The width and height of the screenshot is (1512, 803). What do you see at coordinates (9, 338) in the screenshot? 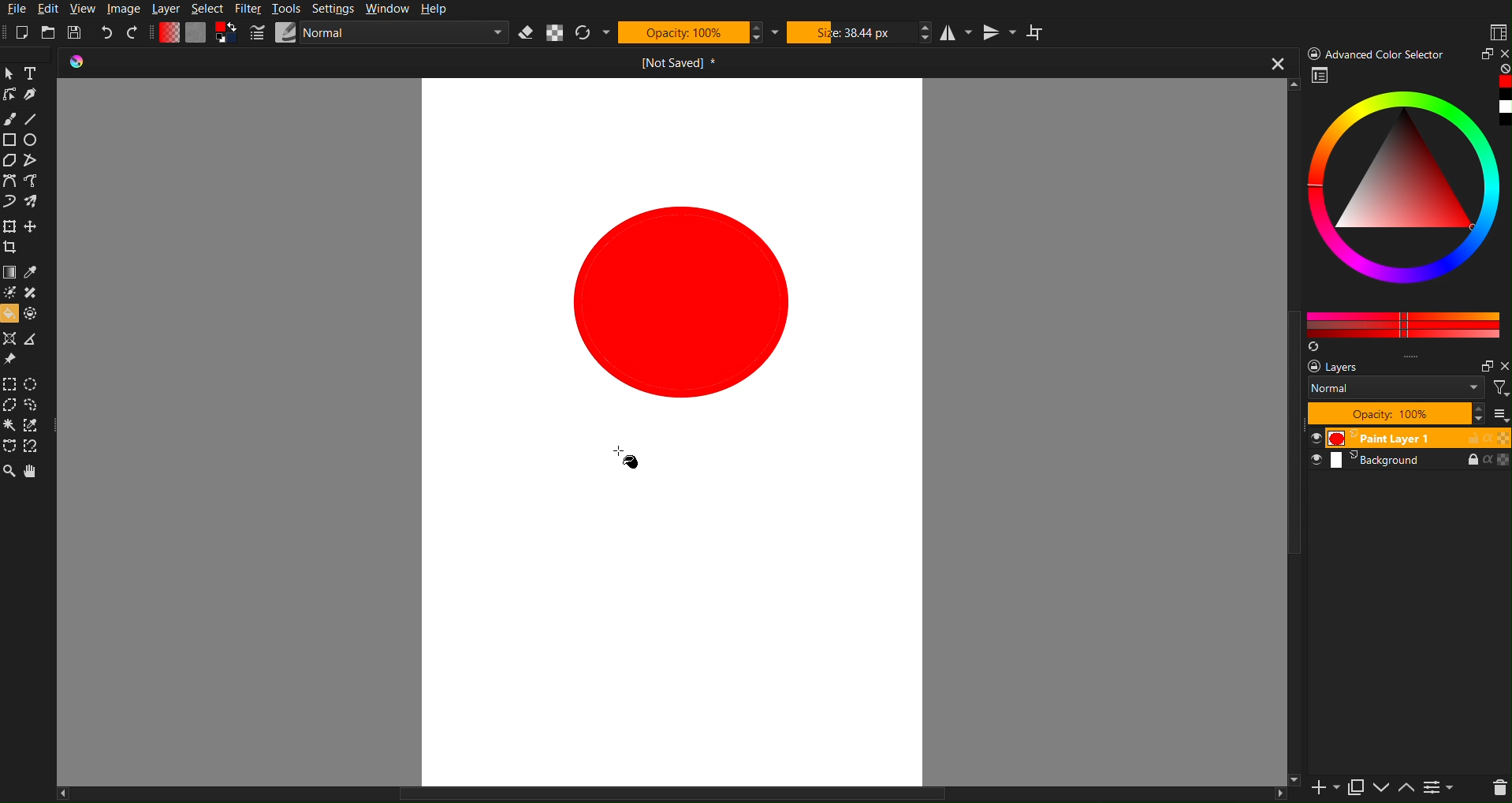
I see `Assistant` at bounding box center [9, 338].